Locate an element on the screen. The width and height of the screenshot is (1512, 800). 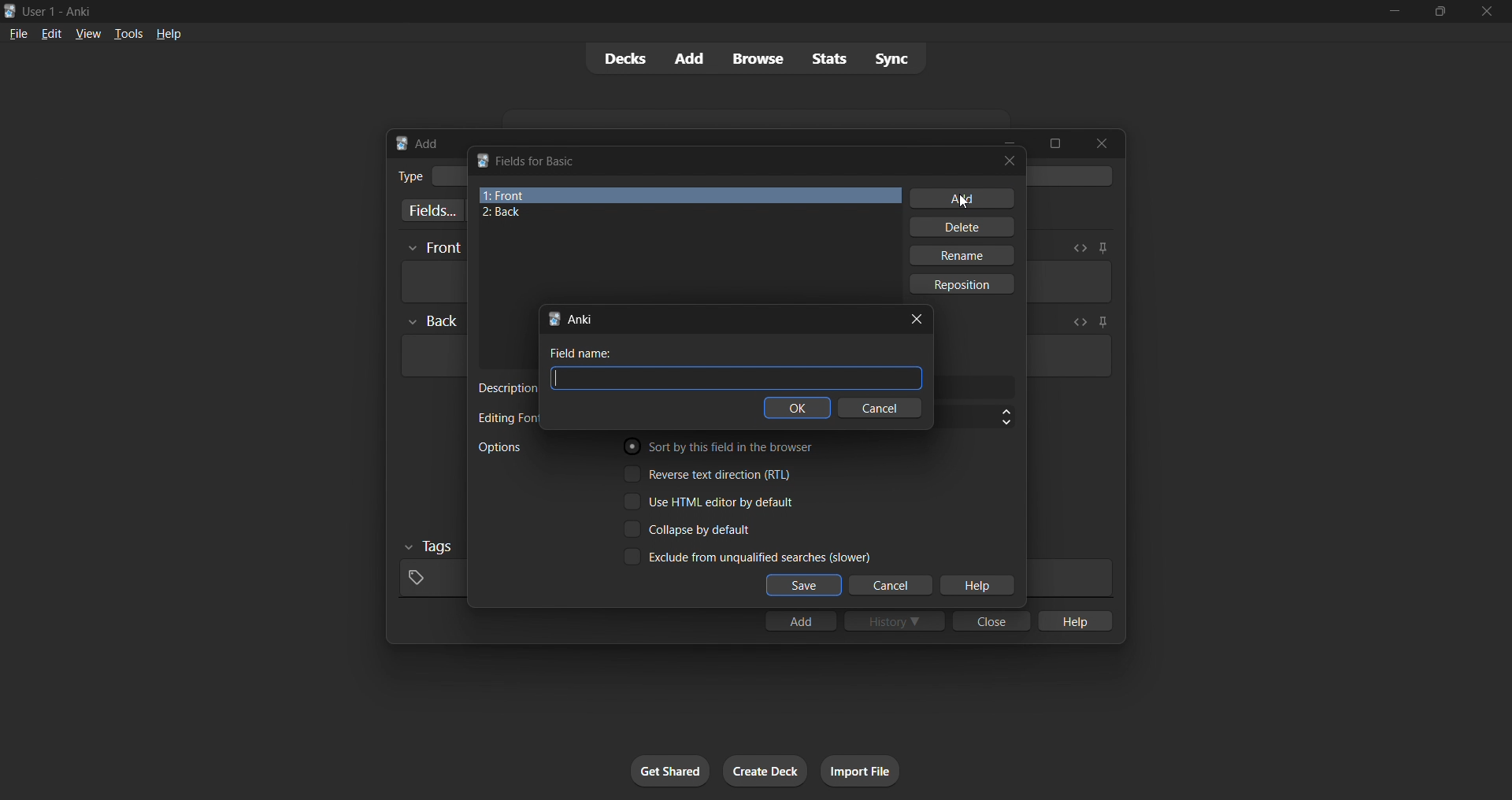
add is located at coordinates (691, 59).